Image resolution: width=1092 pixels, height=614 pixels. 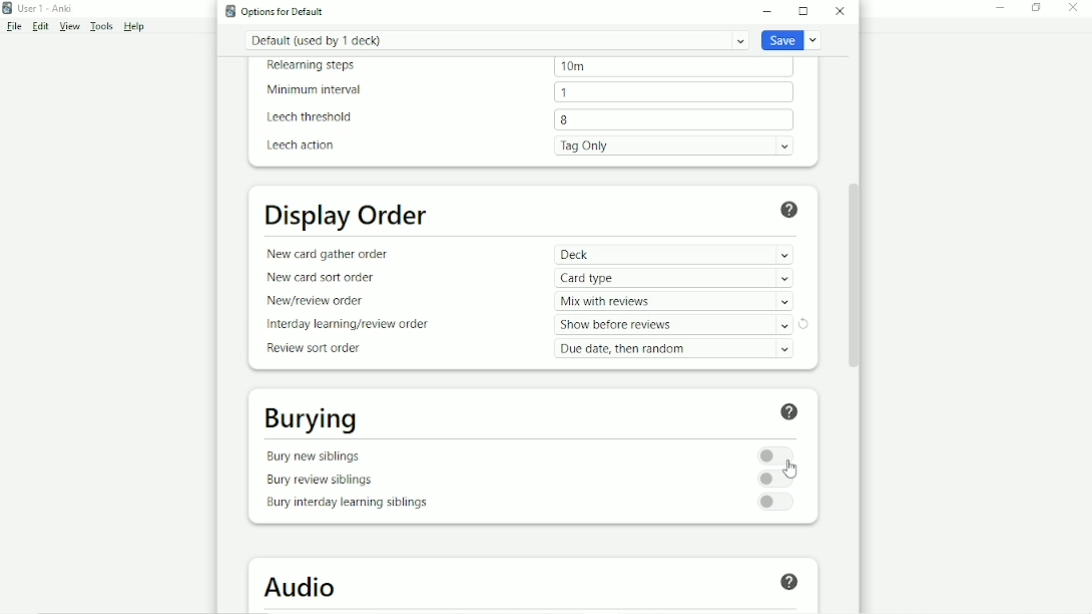 What do you see at coordinates (349, 504) in the screenshot?
I see `Bury interday learning siblings` at bounding box center [349, 504].